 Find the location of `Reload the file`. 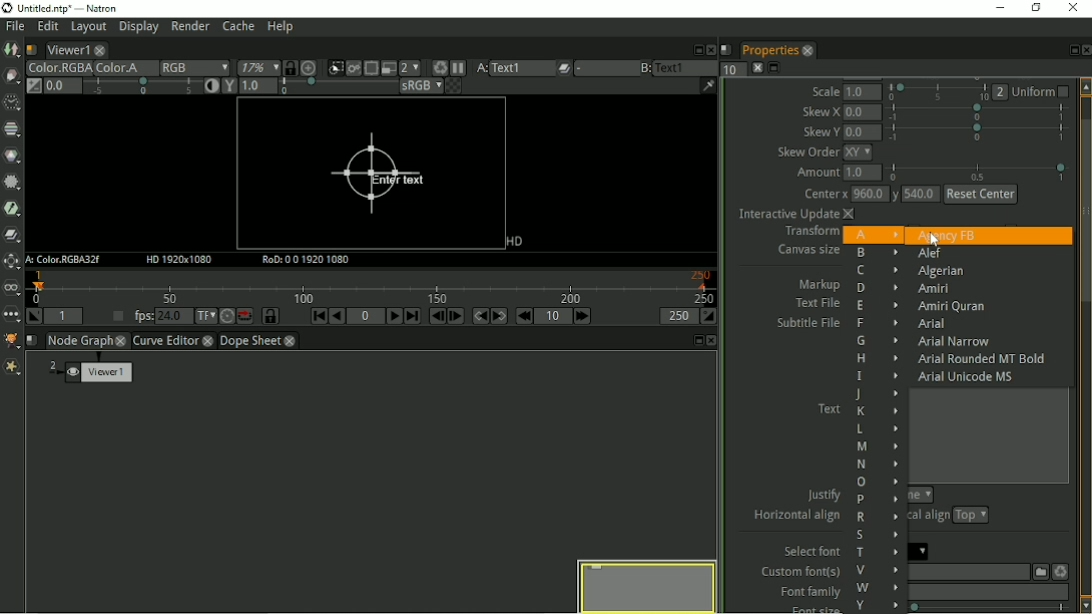

Reload the file is located at coordinates (1060, 570).